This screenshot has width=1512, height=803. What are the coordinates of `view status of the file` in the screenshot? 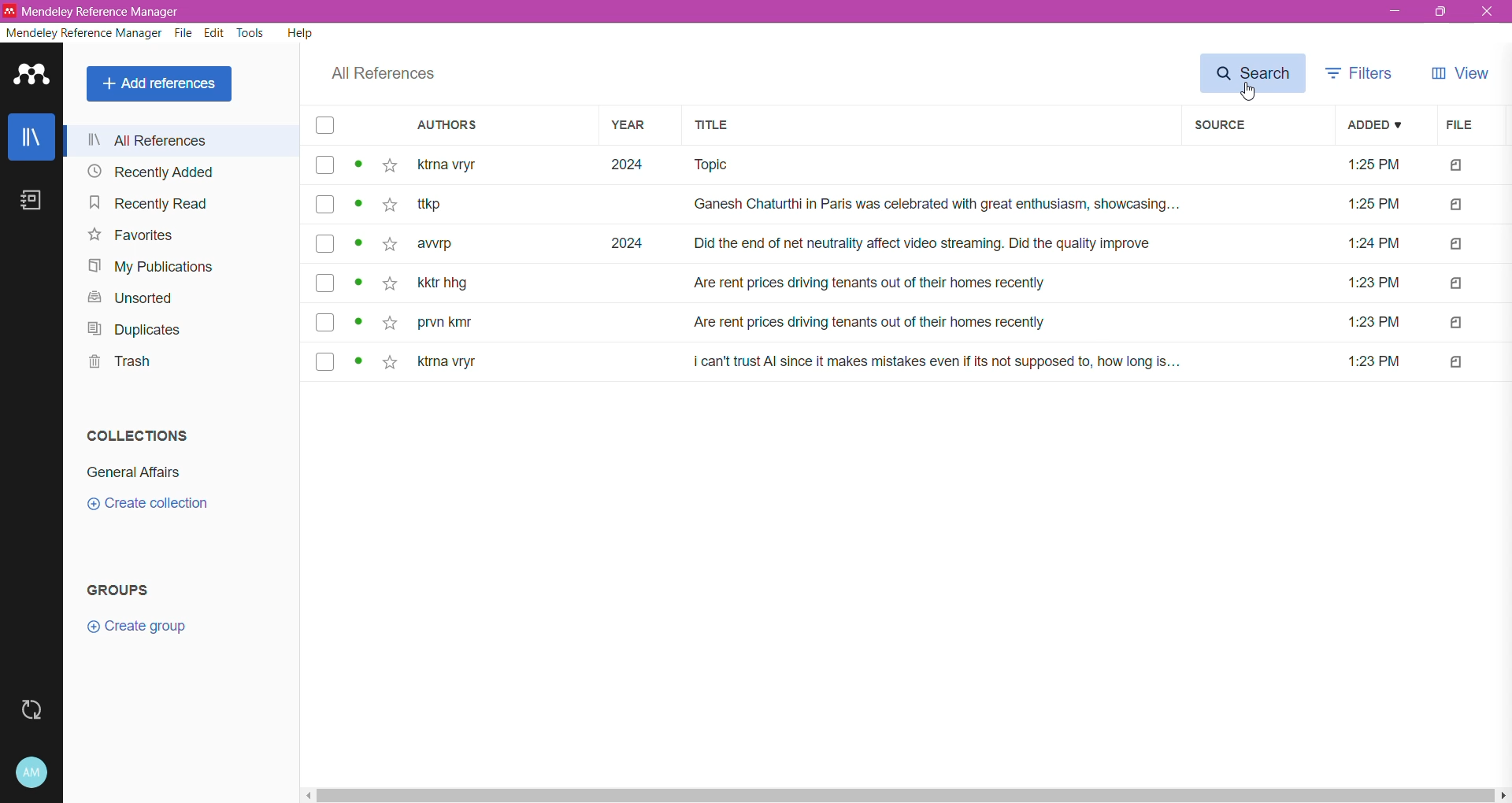 It's located at (359, 322).